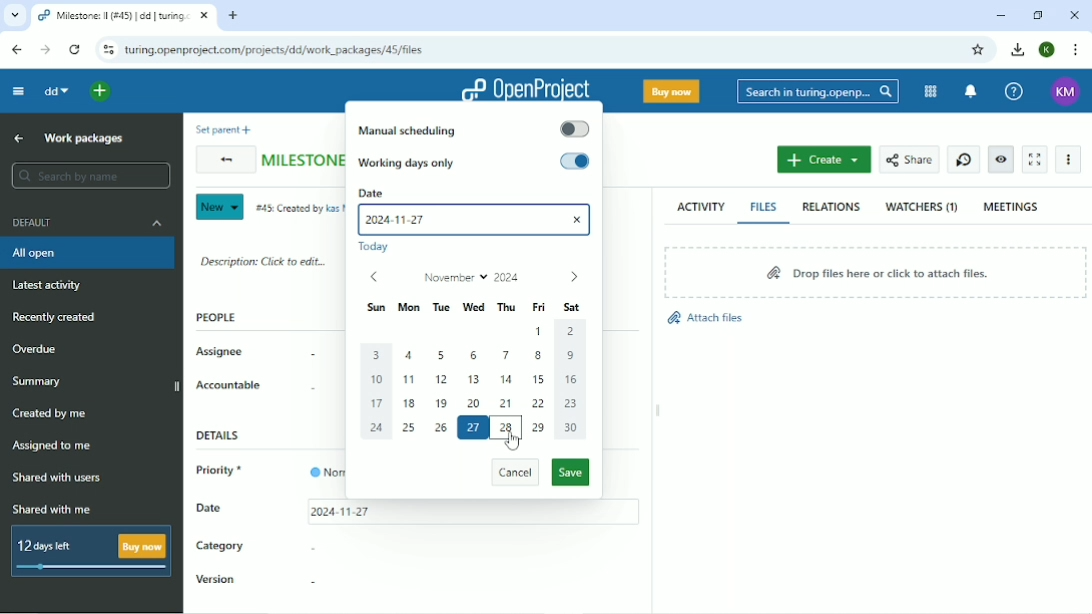  Describe the element at coordinates (340, 513) in the screenshot. I see `11/27/2024` at that location.